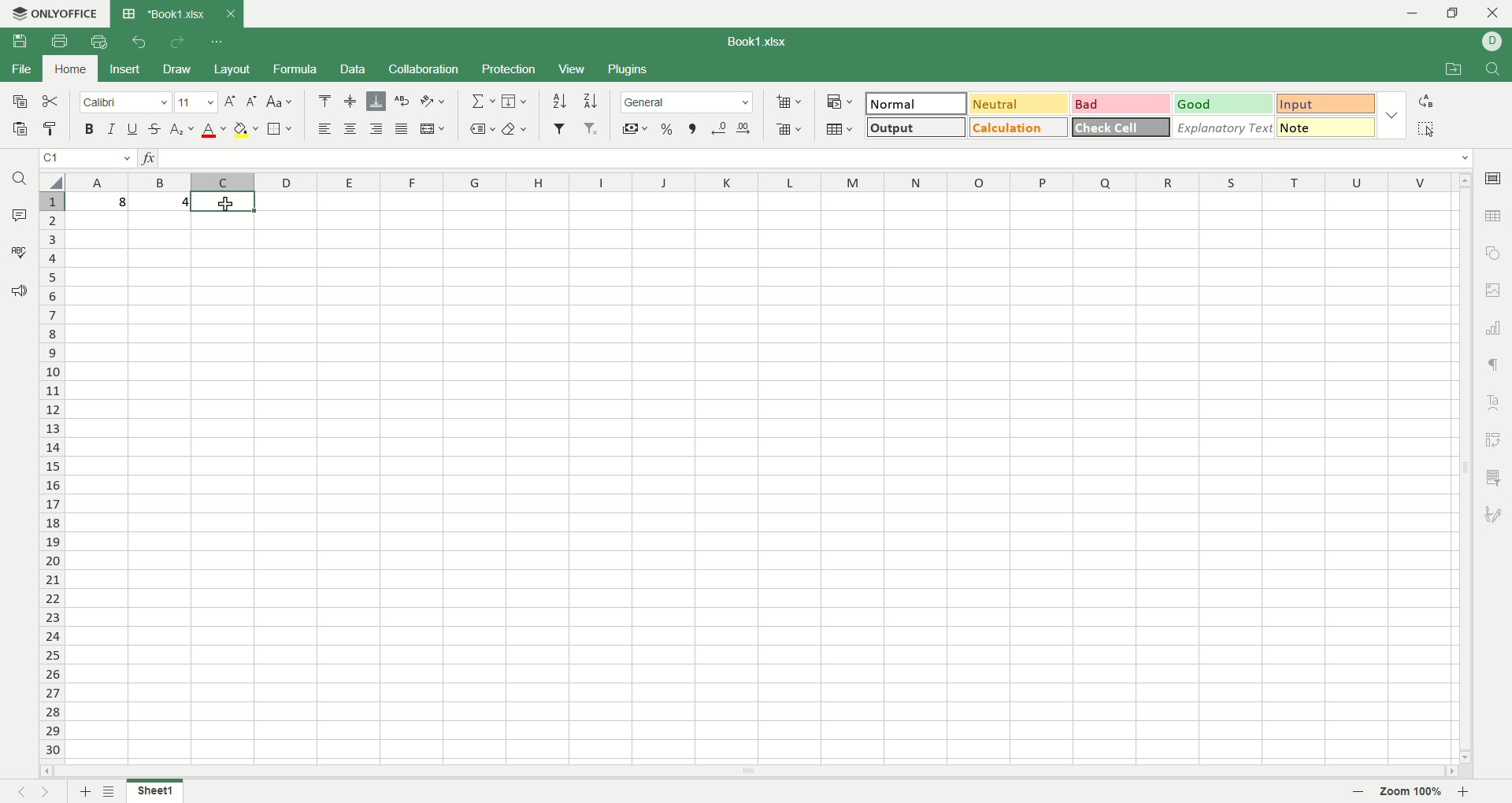  What do you see at coordinates (218, 42) in the screenshot?
I see `customize quickaccess` at bounding box center [218, 42].